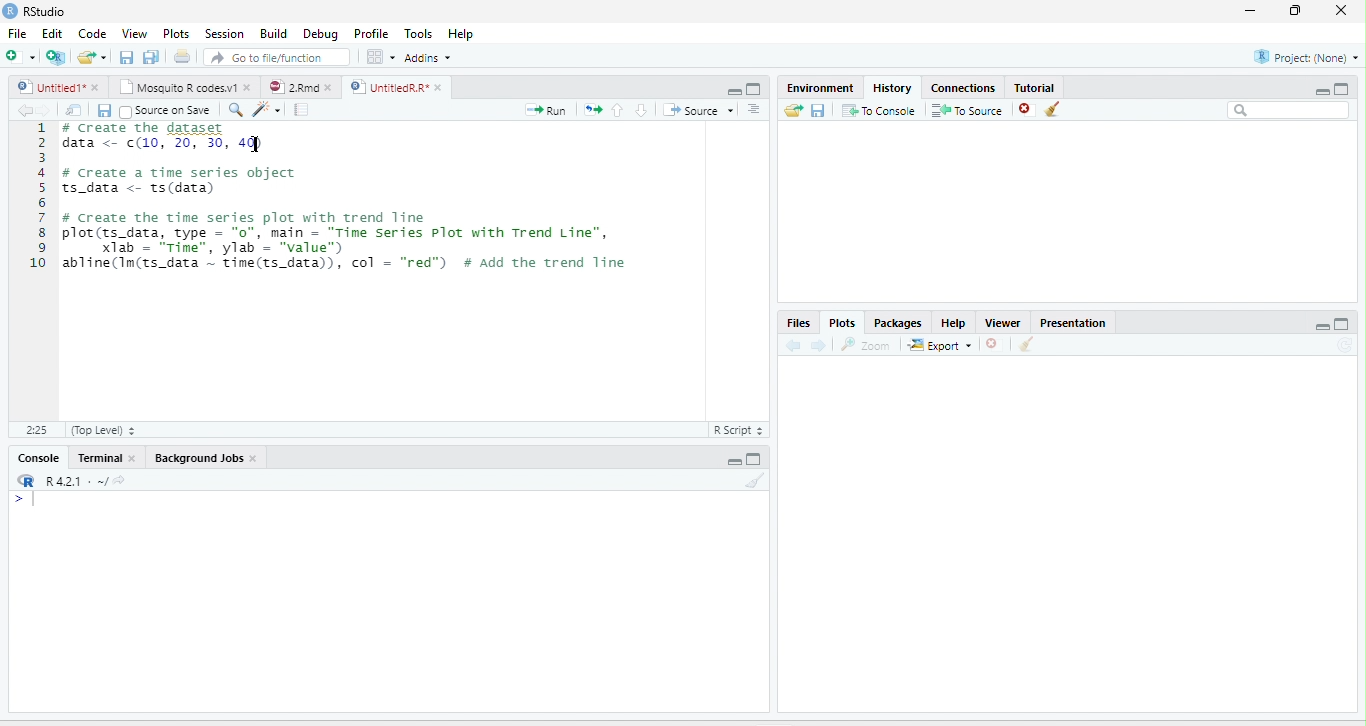  What do you see at coordinates (151, 56) in the screenshot?
I see `Save all open documents` at bounding box center [151, 56].